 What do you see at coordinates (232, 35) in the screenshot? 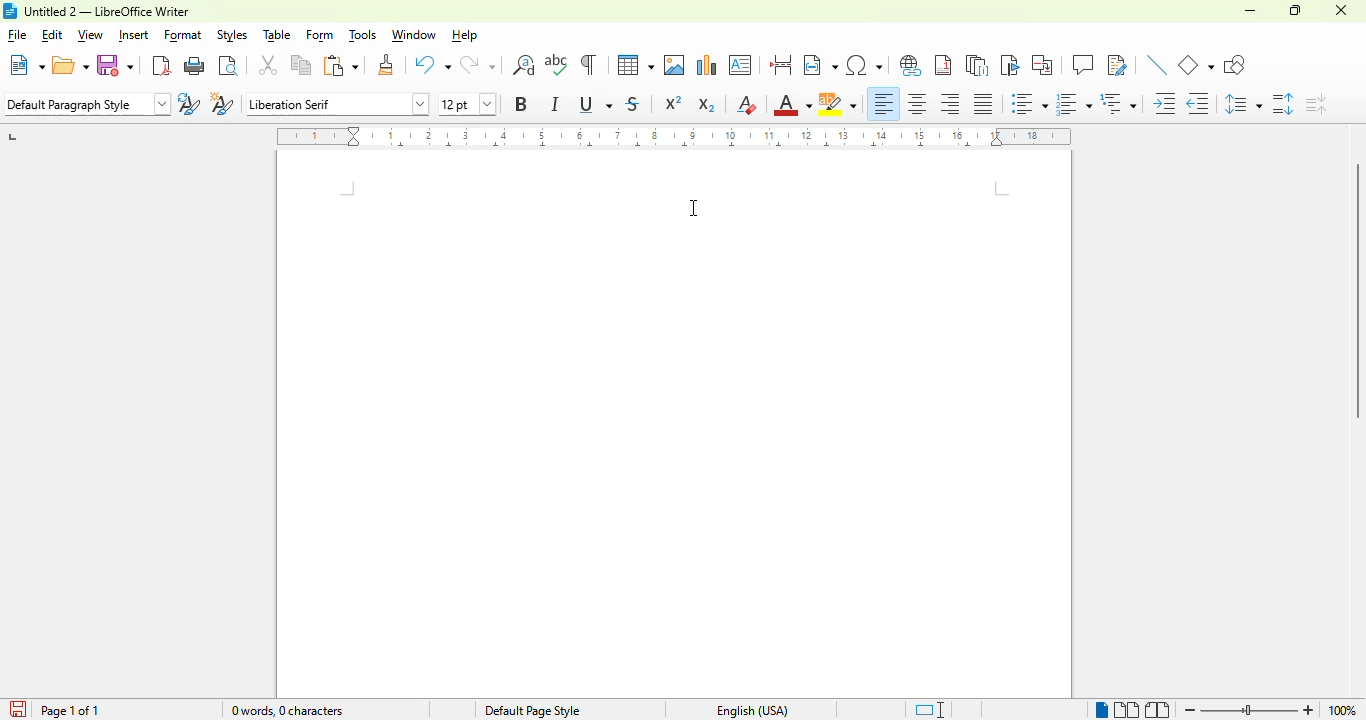
I see `styles` at bounding box center [232, 35].